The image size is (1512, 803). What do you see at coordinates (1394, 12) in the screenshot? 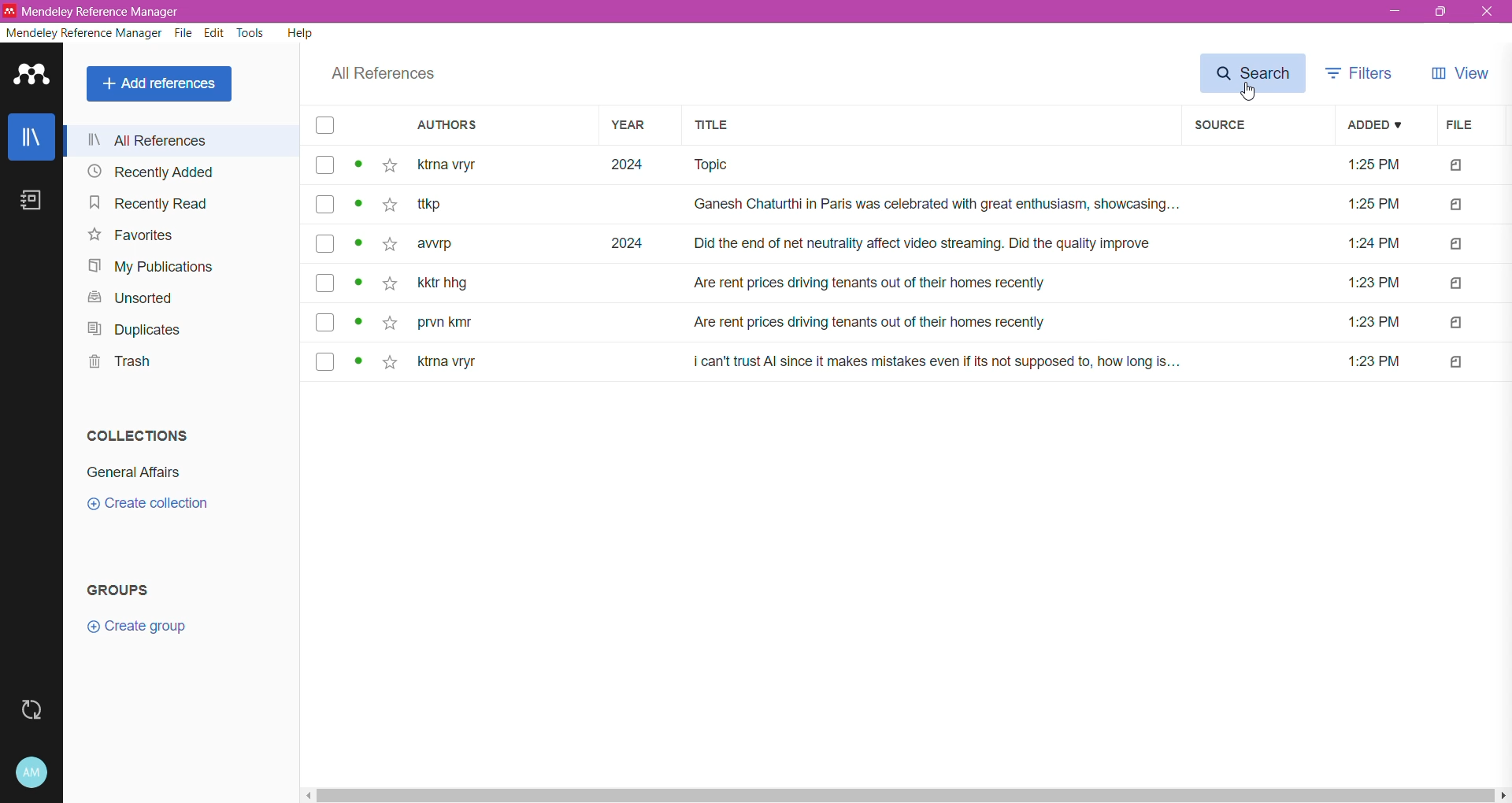
I see `Minimize` at bounding box center [1394, 12].